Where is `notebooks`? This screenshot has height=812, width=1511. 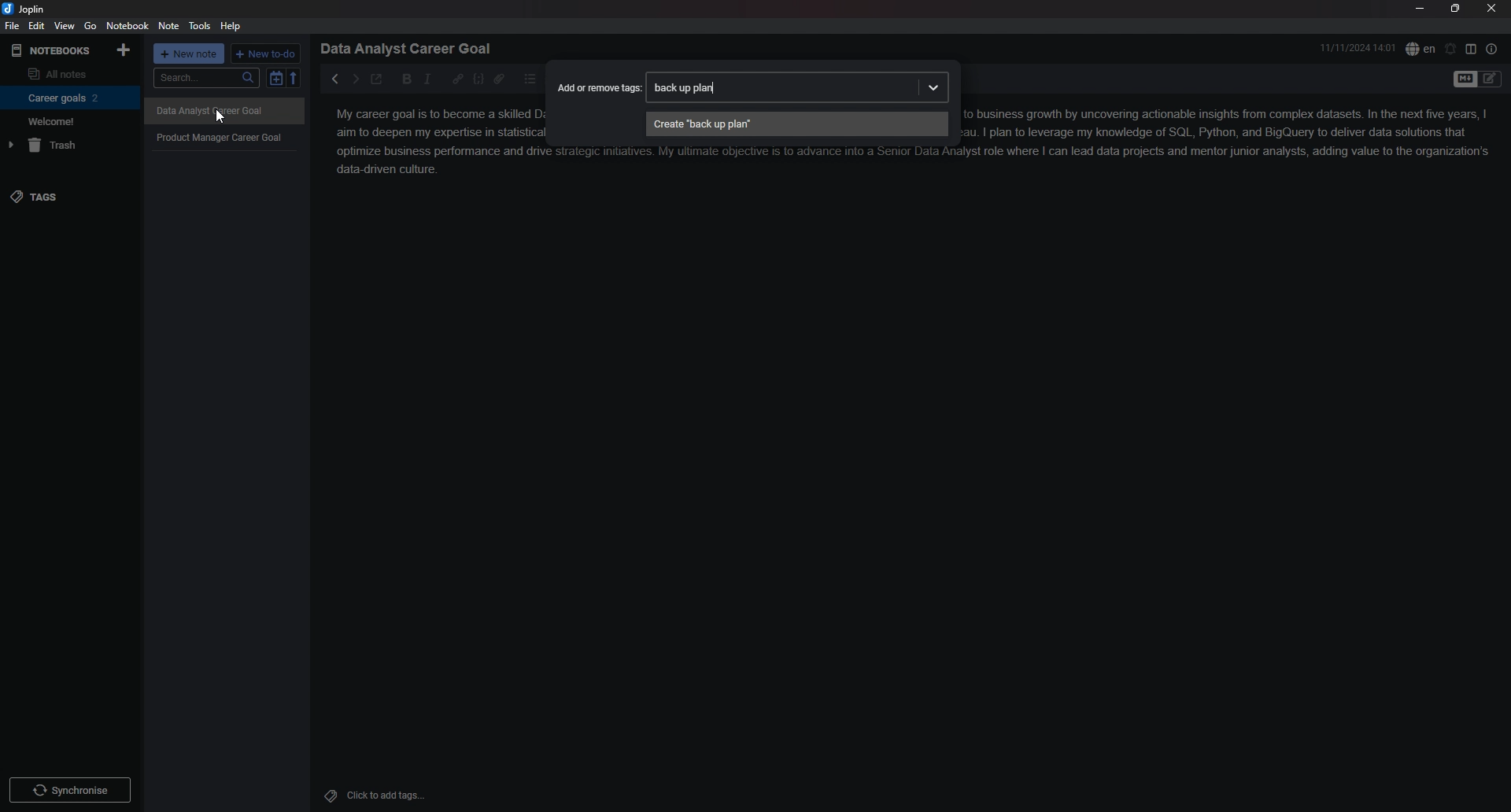 notebooks is located at coordinates (53, 51).